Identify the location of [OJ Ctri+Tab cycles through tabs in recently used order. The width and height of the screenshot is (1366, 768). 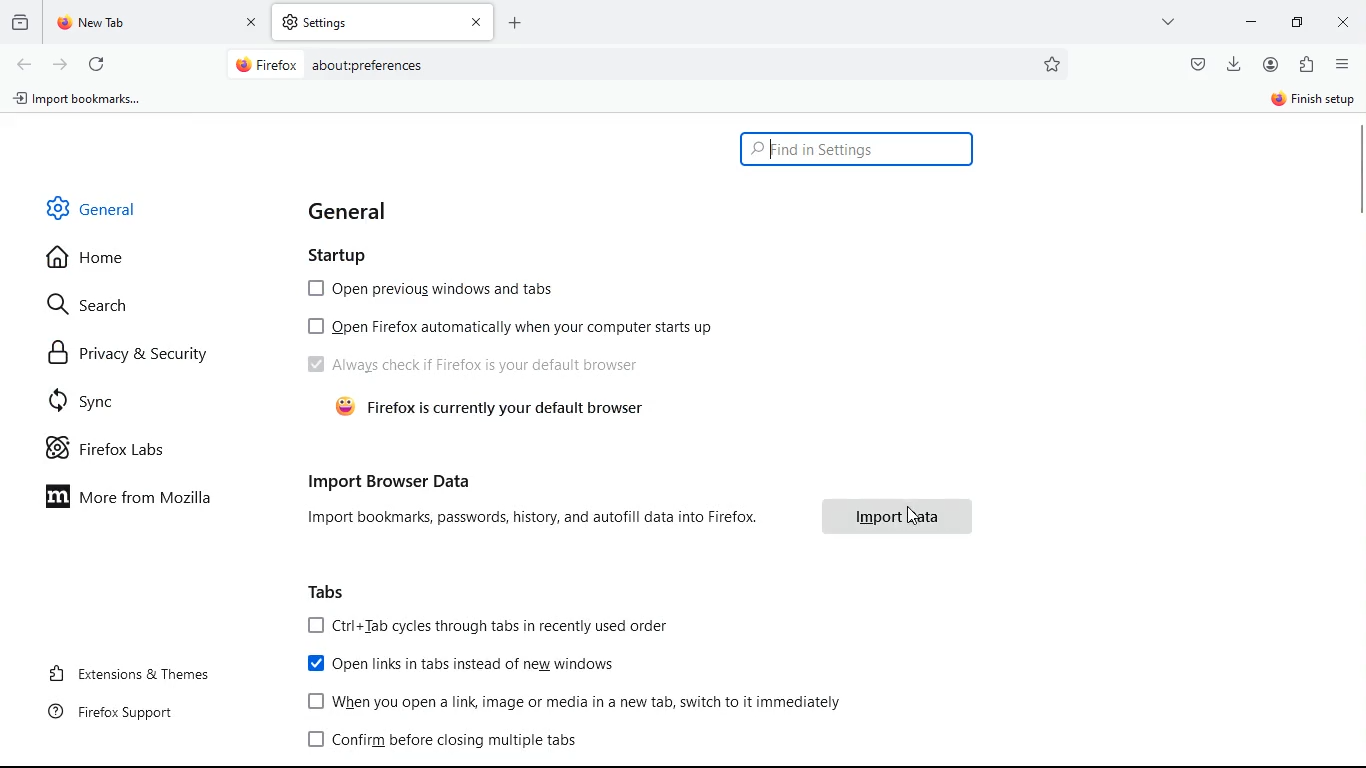
(489, 626).